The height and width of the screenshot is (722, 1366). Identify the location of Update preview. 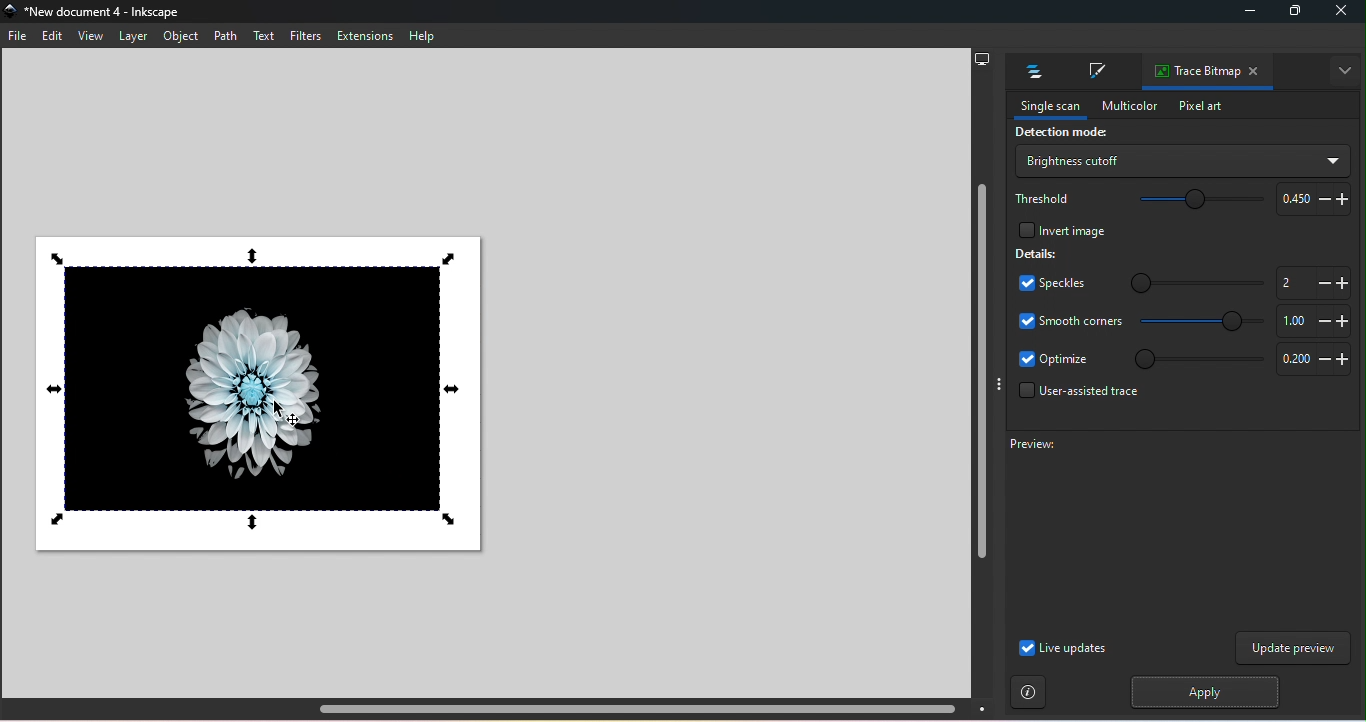
(1293, 648).